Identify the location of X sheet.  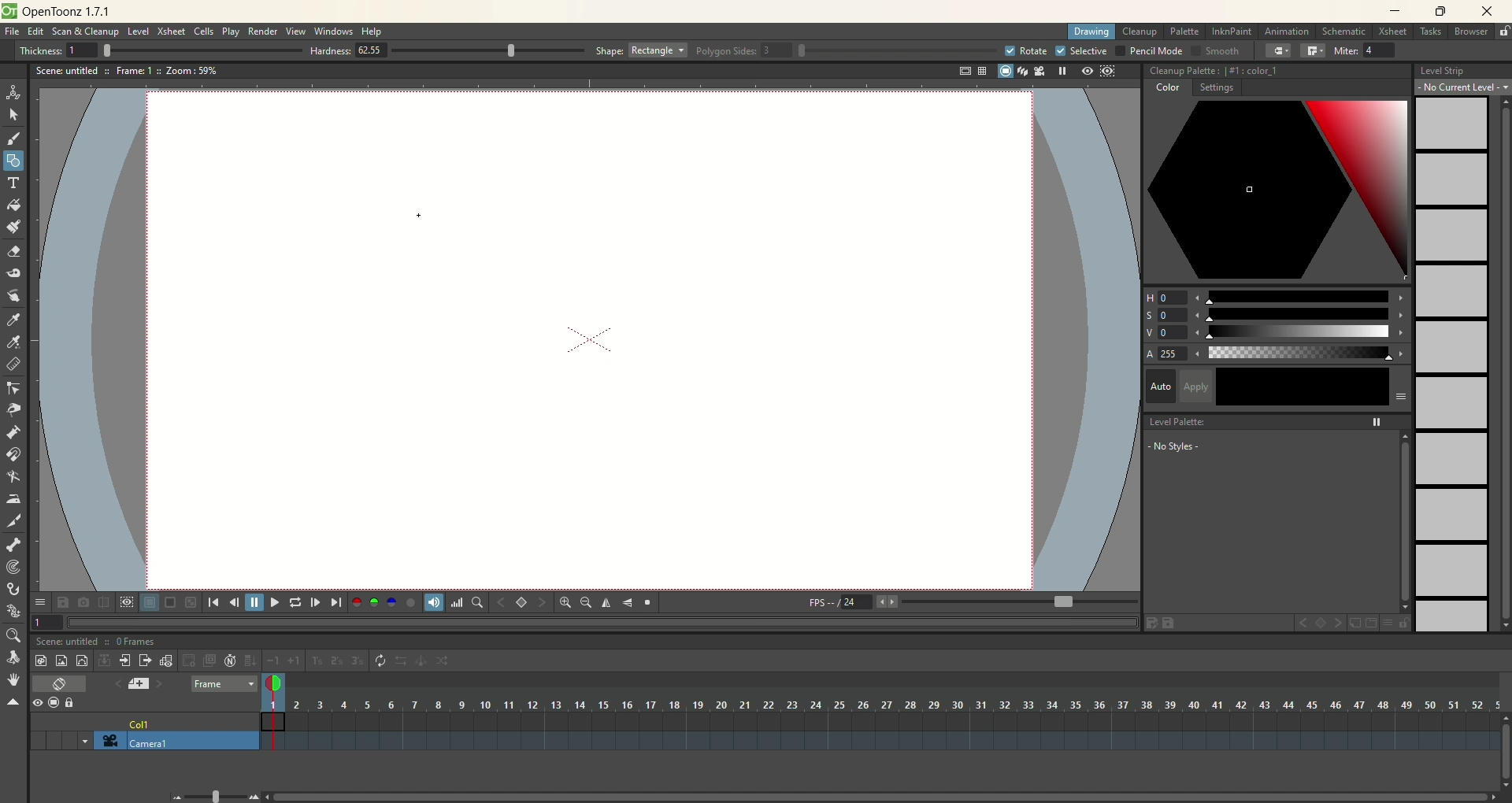
(1395, 32).